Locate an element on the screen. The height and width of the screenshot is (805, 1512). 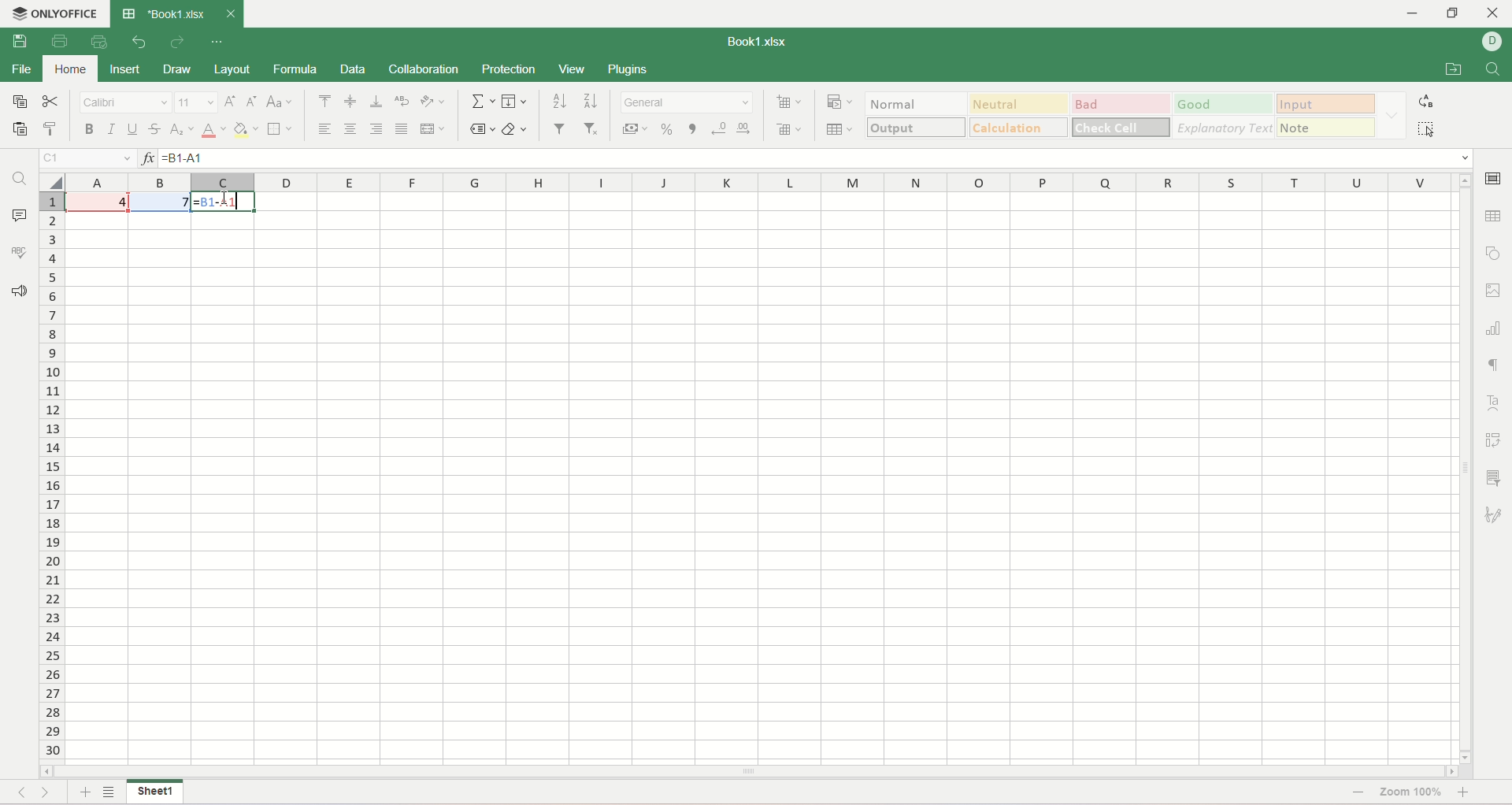
background color is located at coordinates (246, 128).